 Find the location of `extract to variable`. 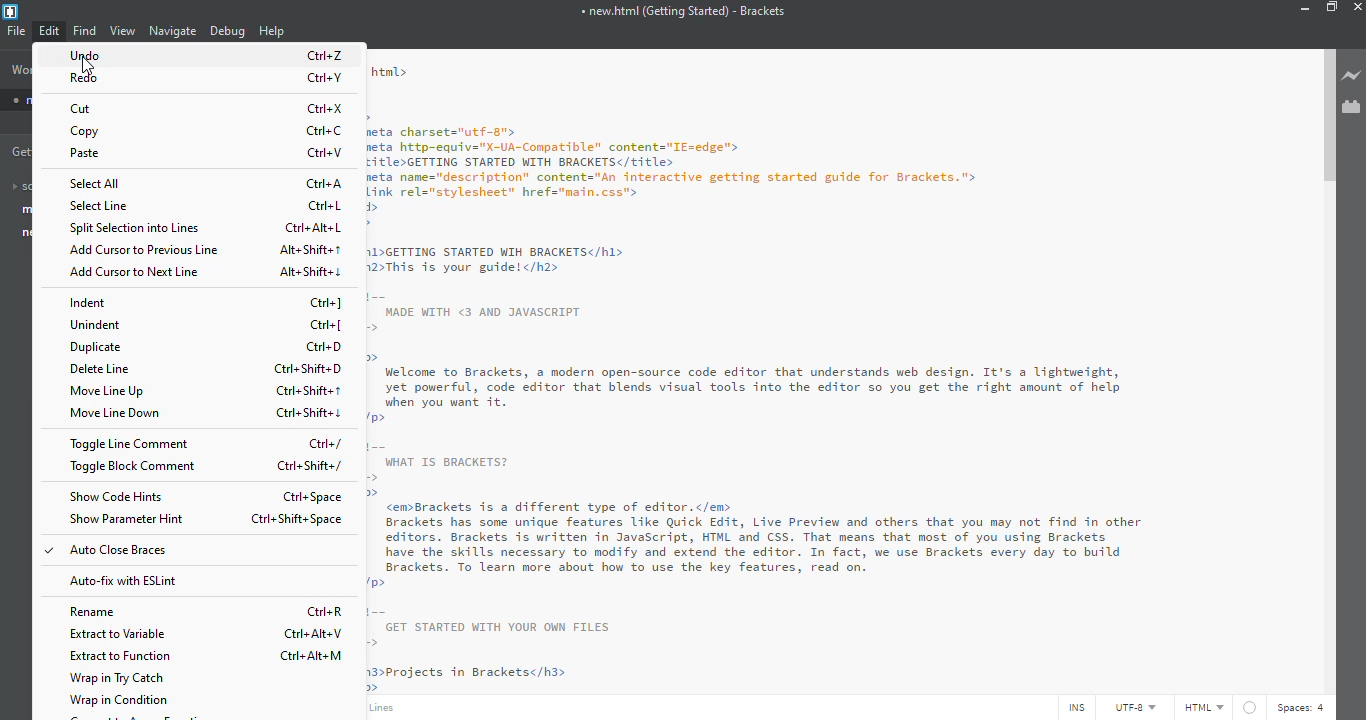

extract to variable is located at coordinates (119, 633).